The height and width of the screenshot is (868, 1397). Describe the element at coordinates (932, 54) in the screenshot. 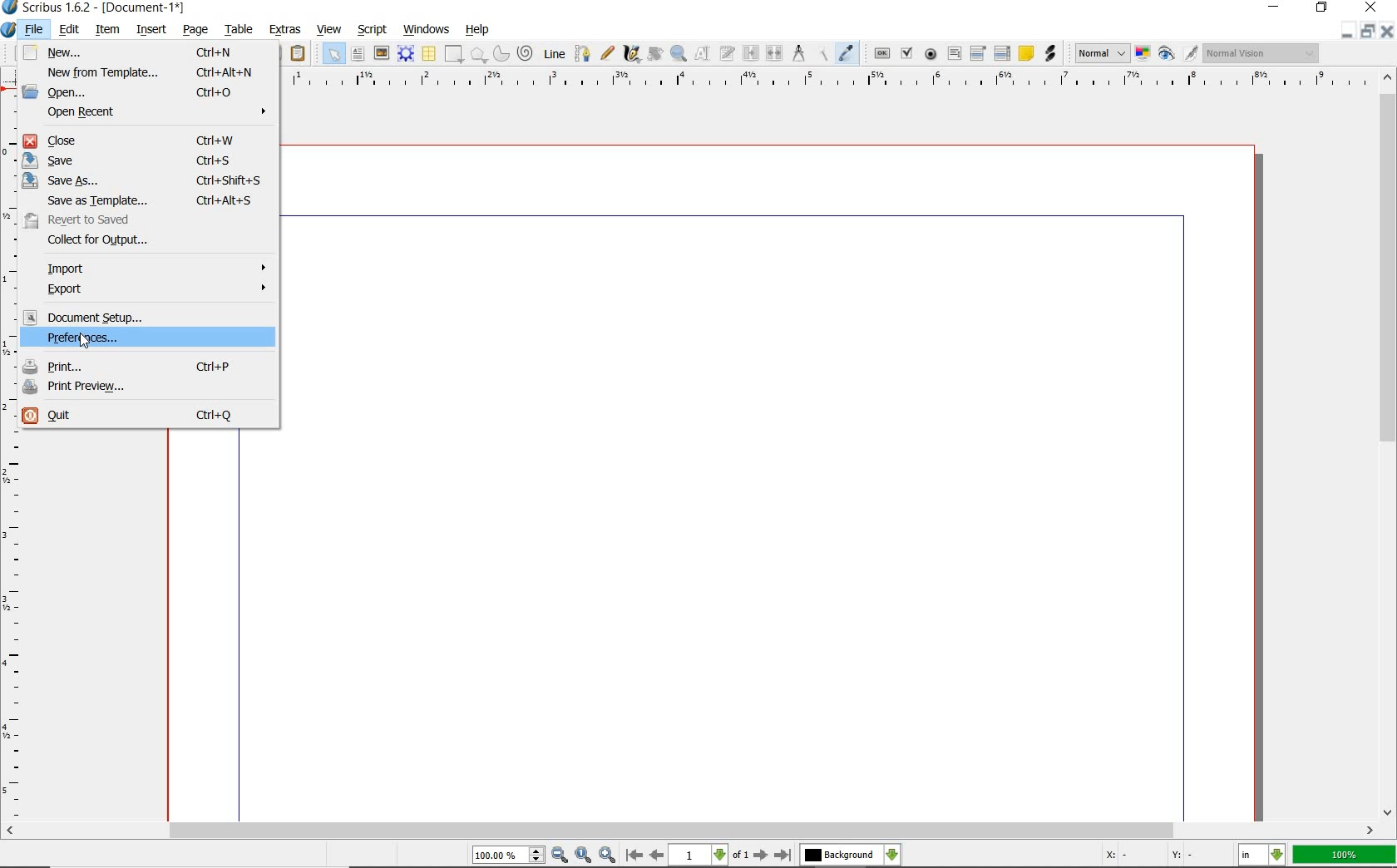

I see `pdf radio button` at that location.